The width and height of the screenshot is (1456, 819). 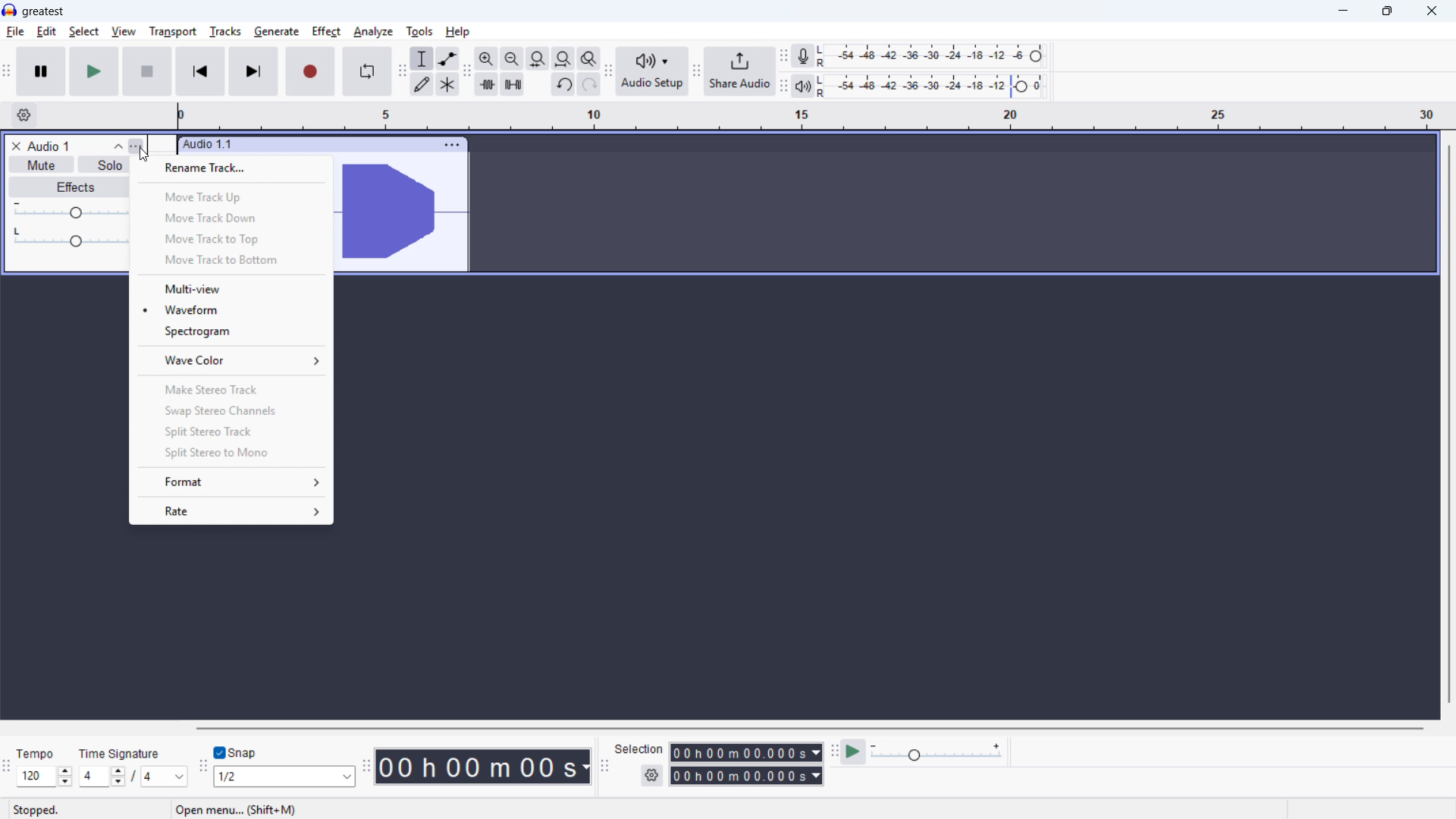 I want to click on Stop , so click(x=148, y=71).